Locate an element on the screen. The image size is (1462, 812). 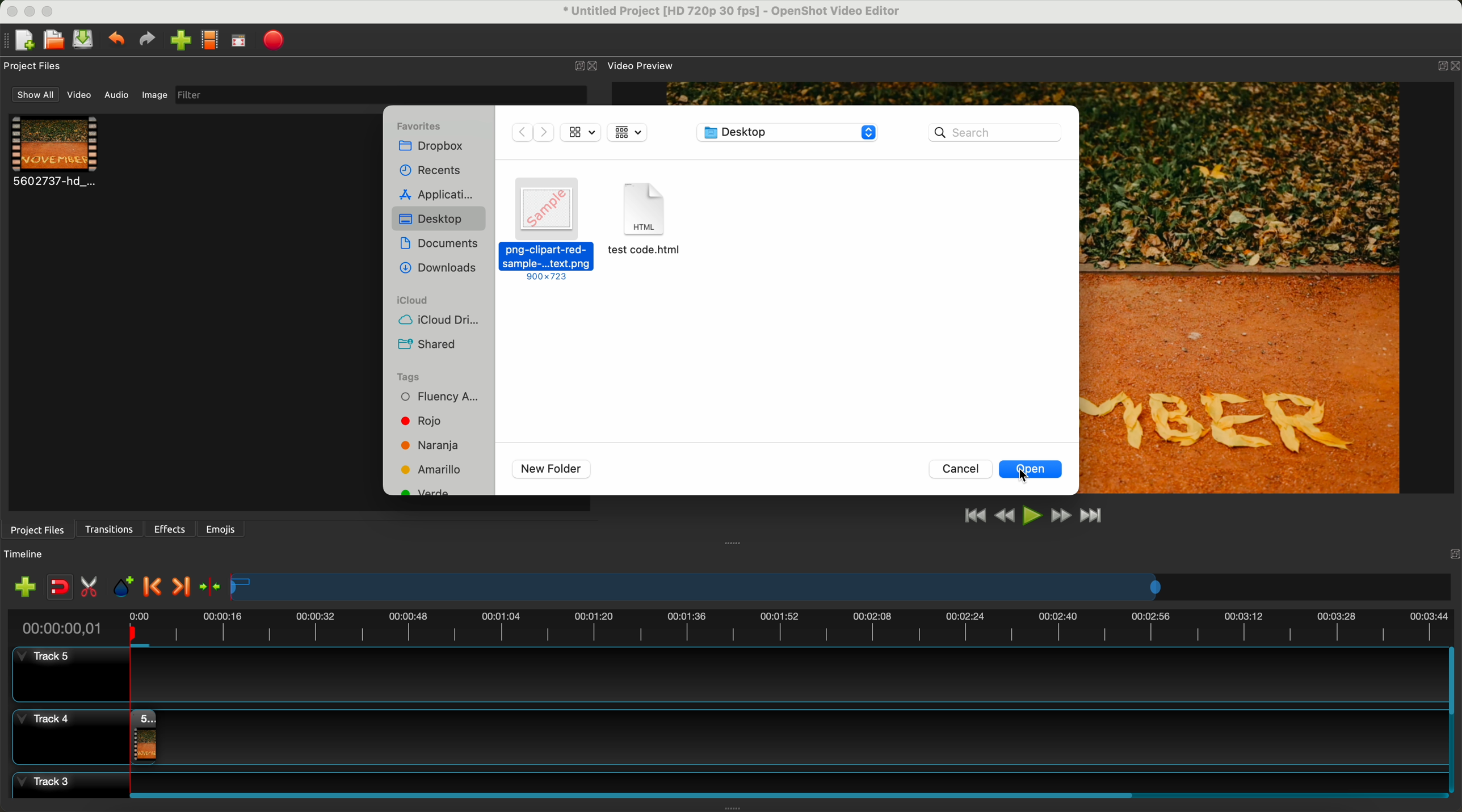
timeline is located at coordinates (842, 588).